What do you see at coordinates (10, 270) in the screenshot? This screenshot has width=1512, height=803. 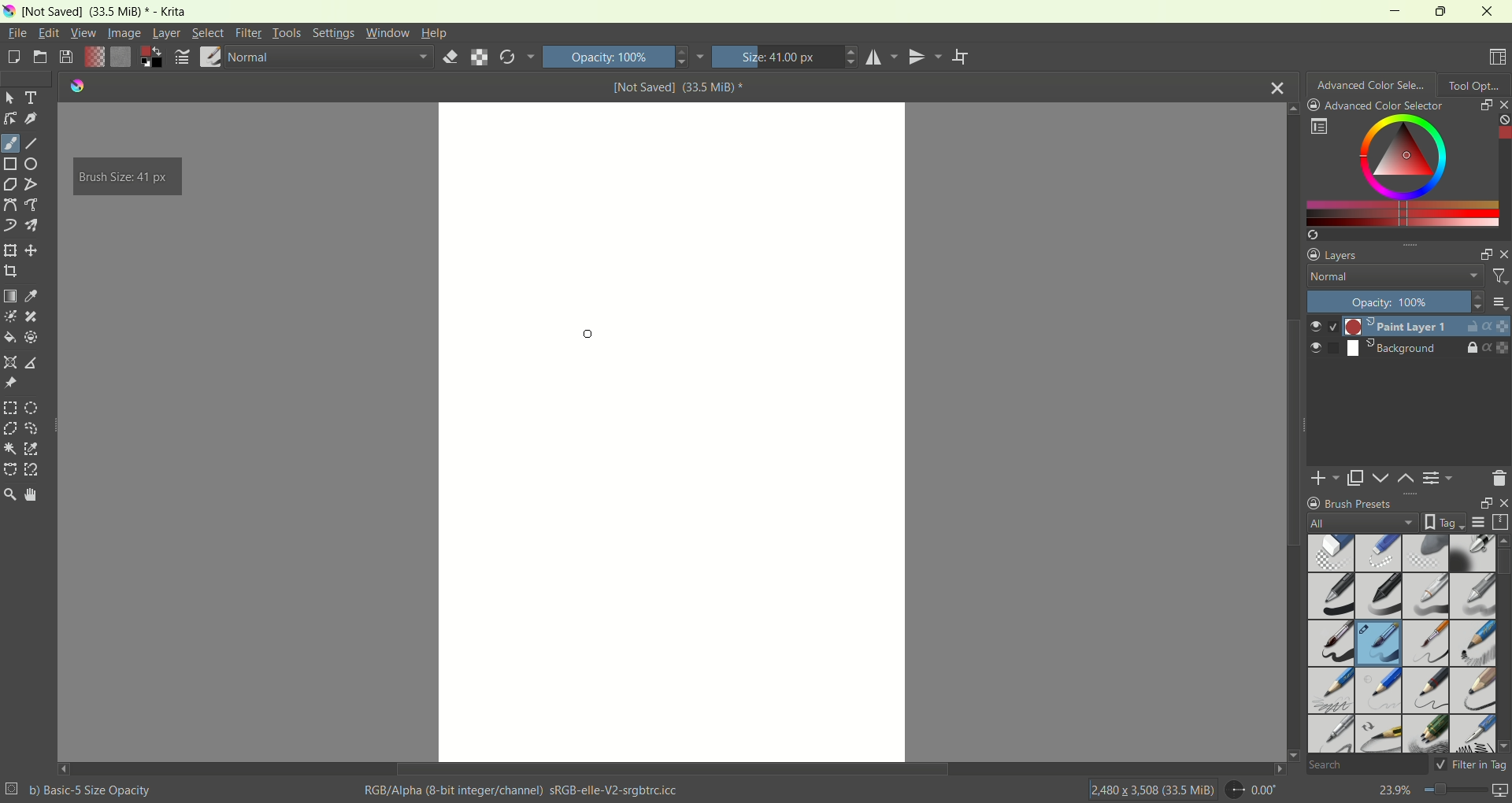 I see `crop` at bounding box center [10, 270].